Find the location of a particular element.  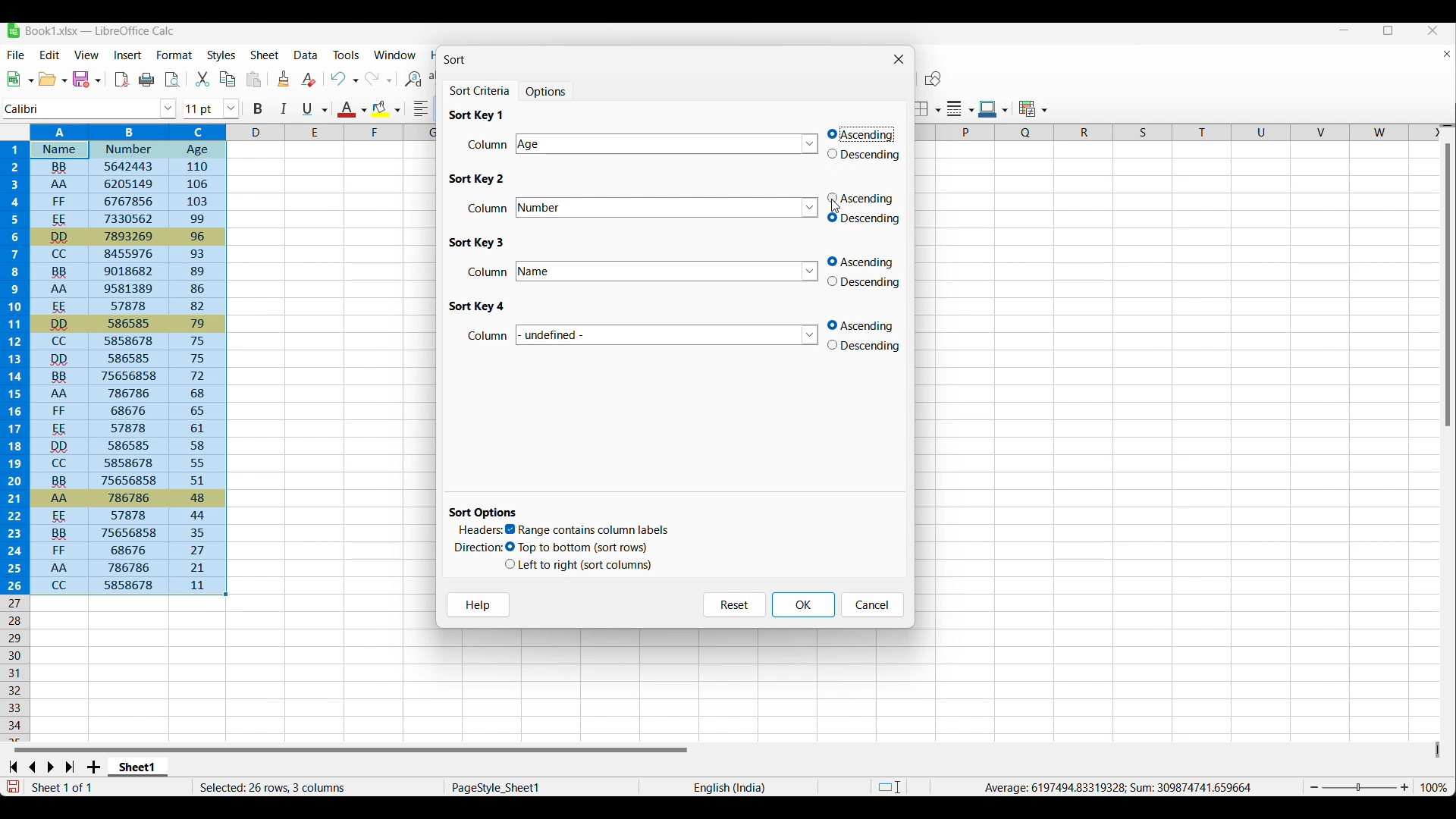

descending is located at coordinates (868, 347).